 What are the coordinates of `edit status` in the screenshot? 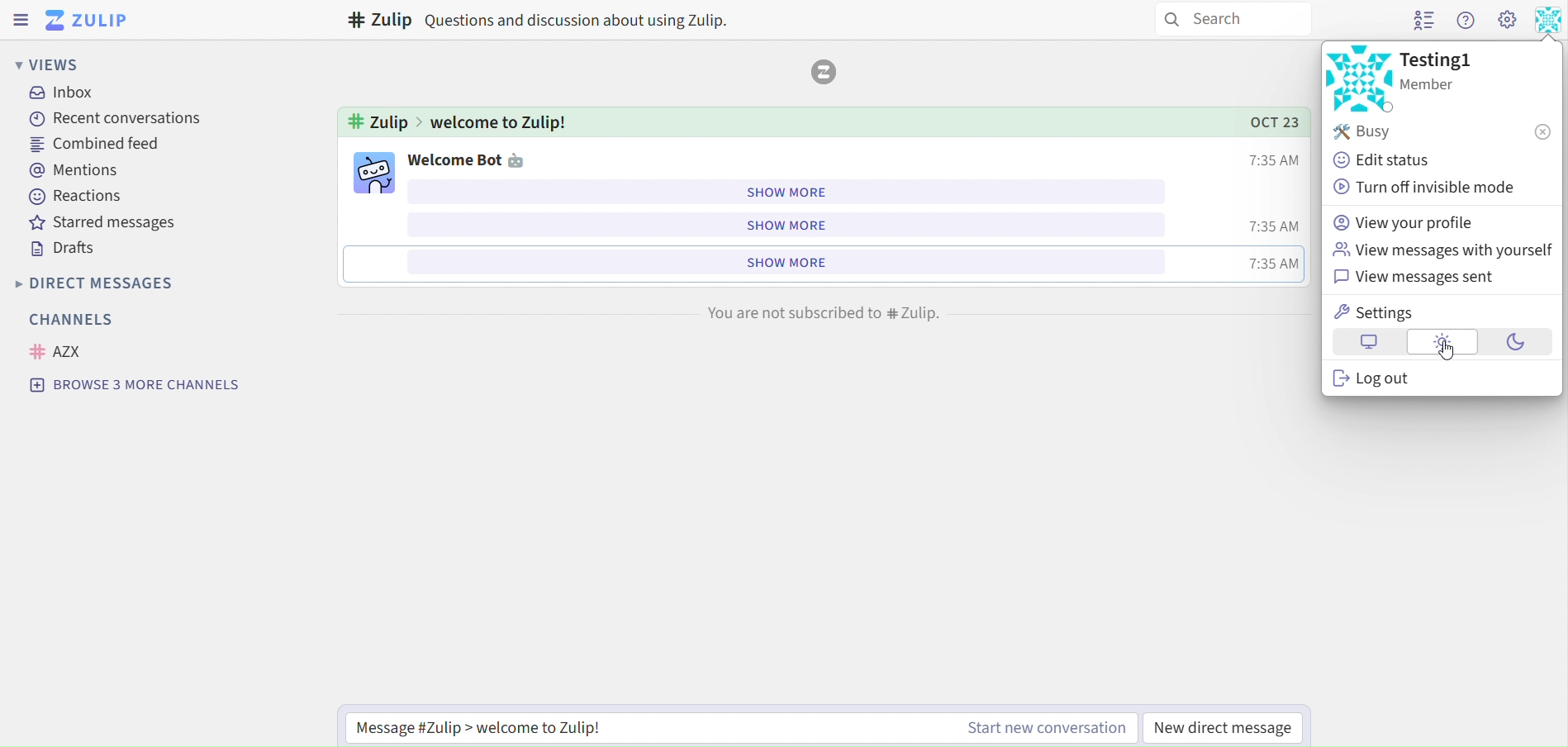 It's located at (1383, 160).